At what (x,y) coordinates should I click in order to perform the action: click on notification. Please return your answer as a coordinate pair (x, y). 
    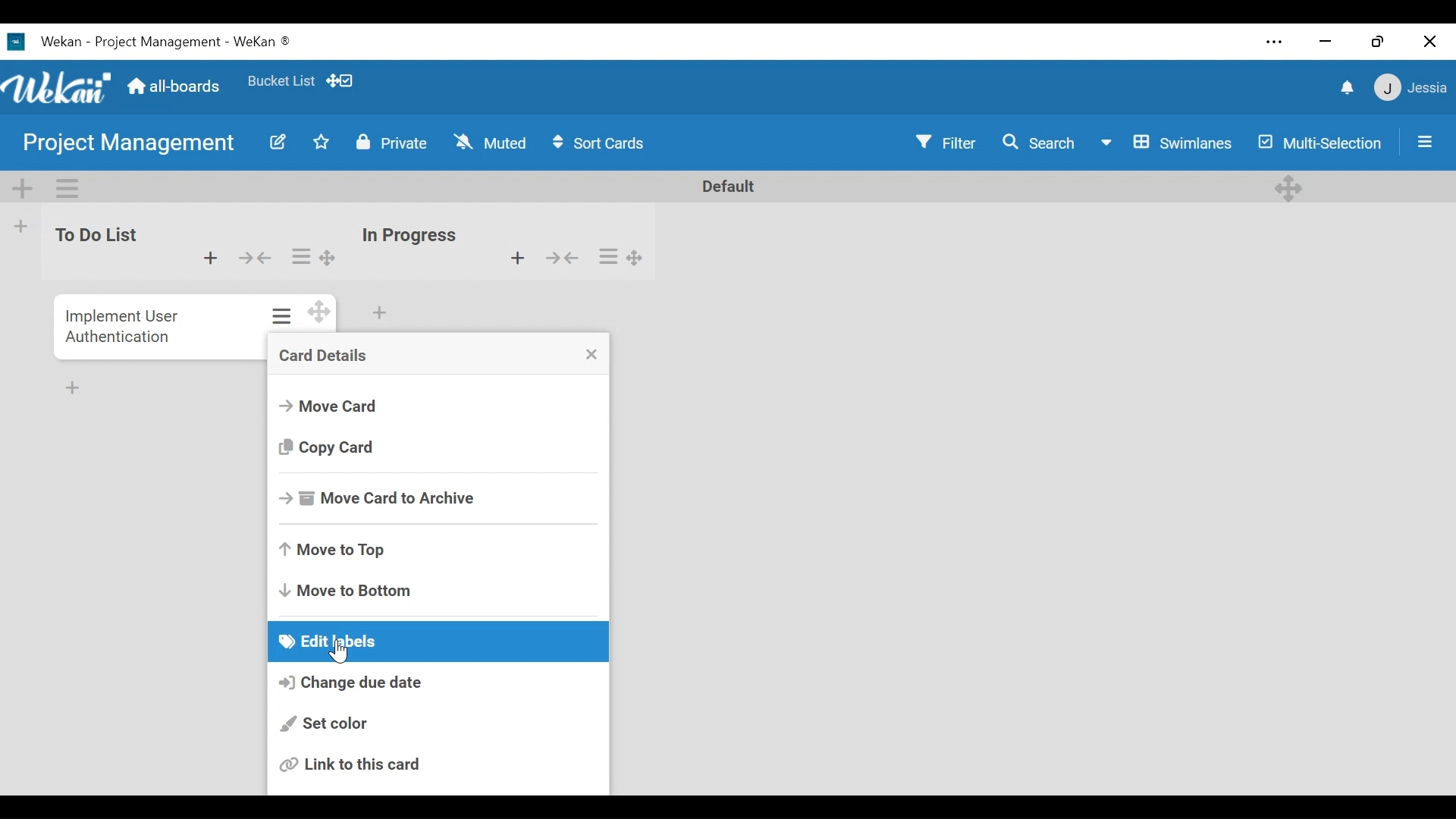
    Looking at the image, I should click on (1346, 88).